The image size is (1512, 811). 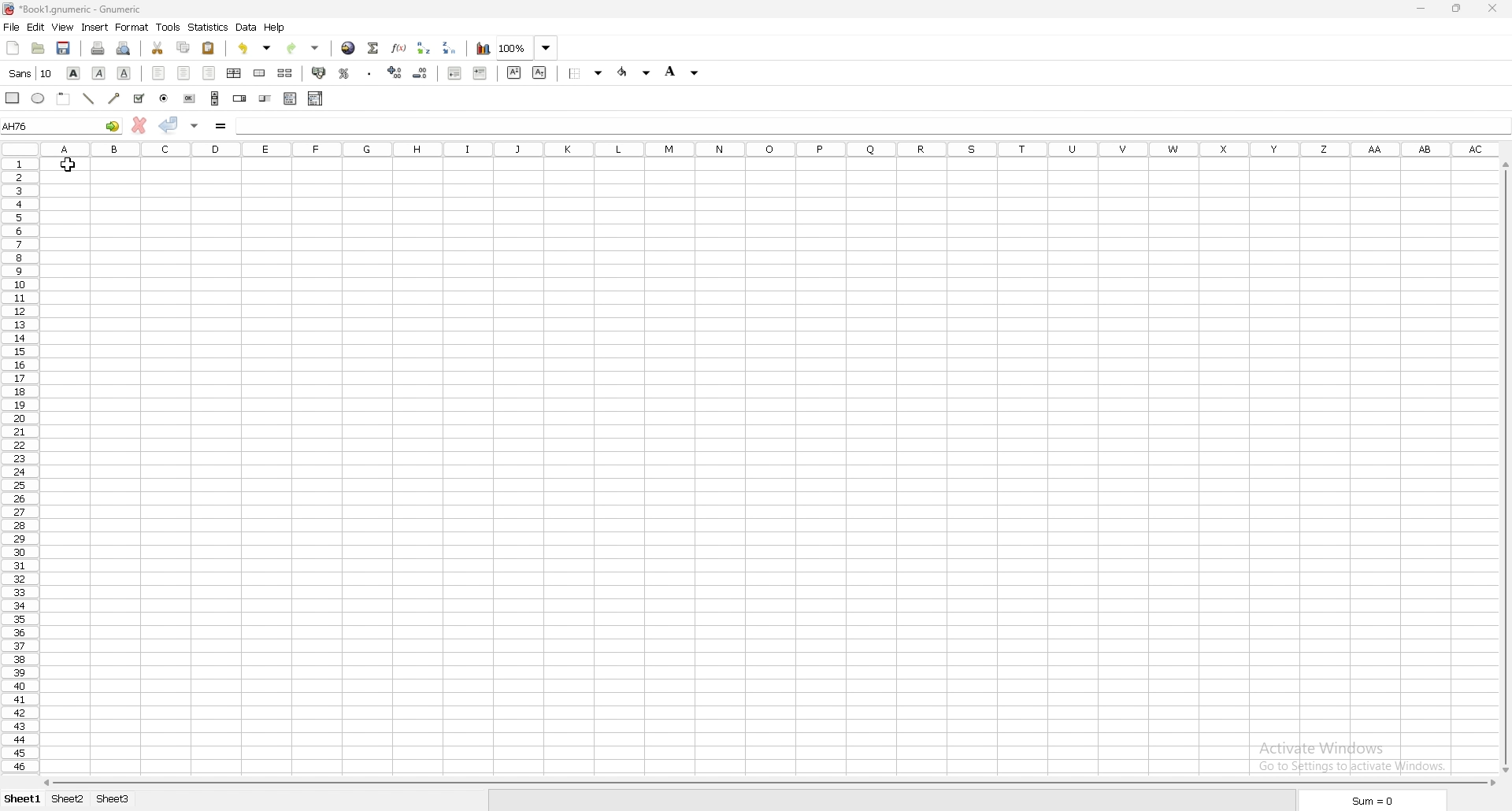 What do you see at coordinates (189, 99) in the screenshot?
I see `button` at bounding box center [189, 99].